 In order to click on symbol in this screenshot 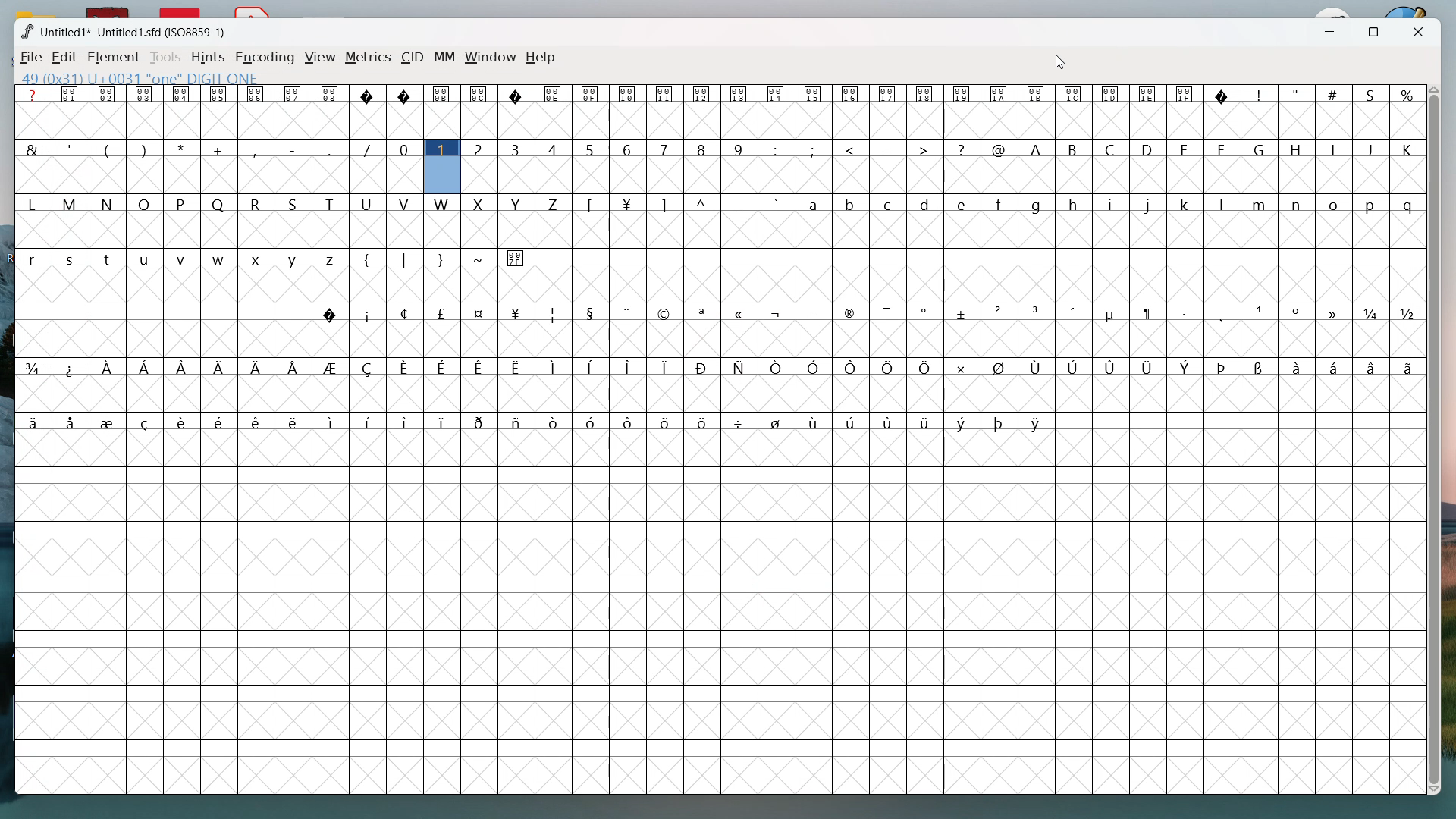, I will do `click(1150, 366)`.